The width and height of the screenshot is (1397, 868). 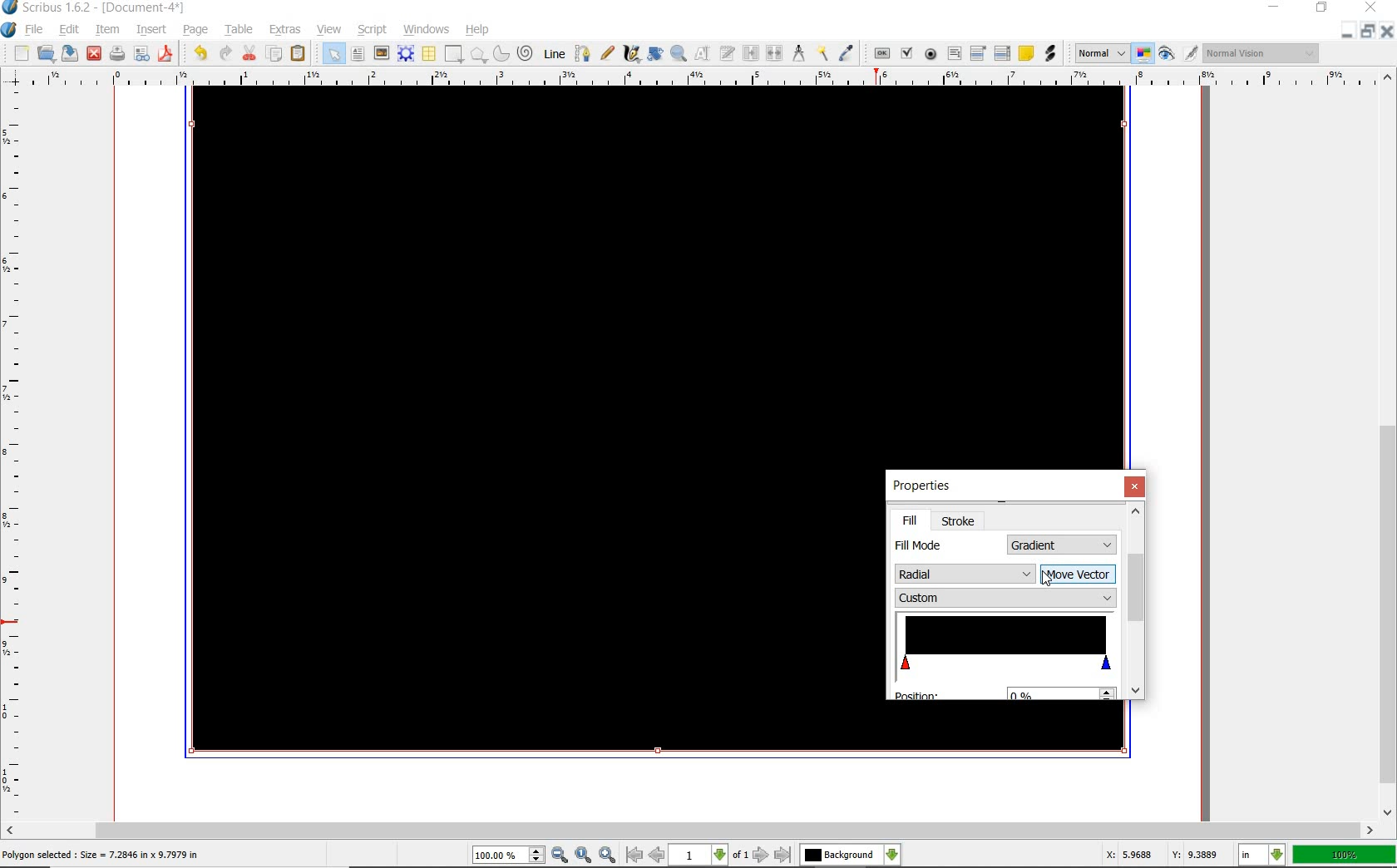 What do you see at coordinates (96, 8) in the screenshot?
I see `Scribus 1.6.2 - [Document-4*]` at bounding box center [96, 8].